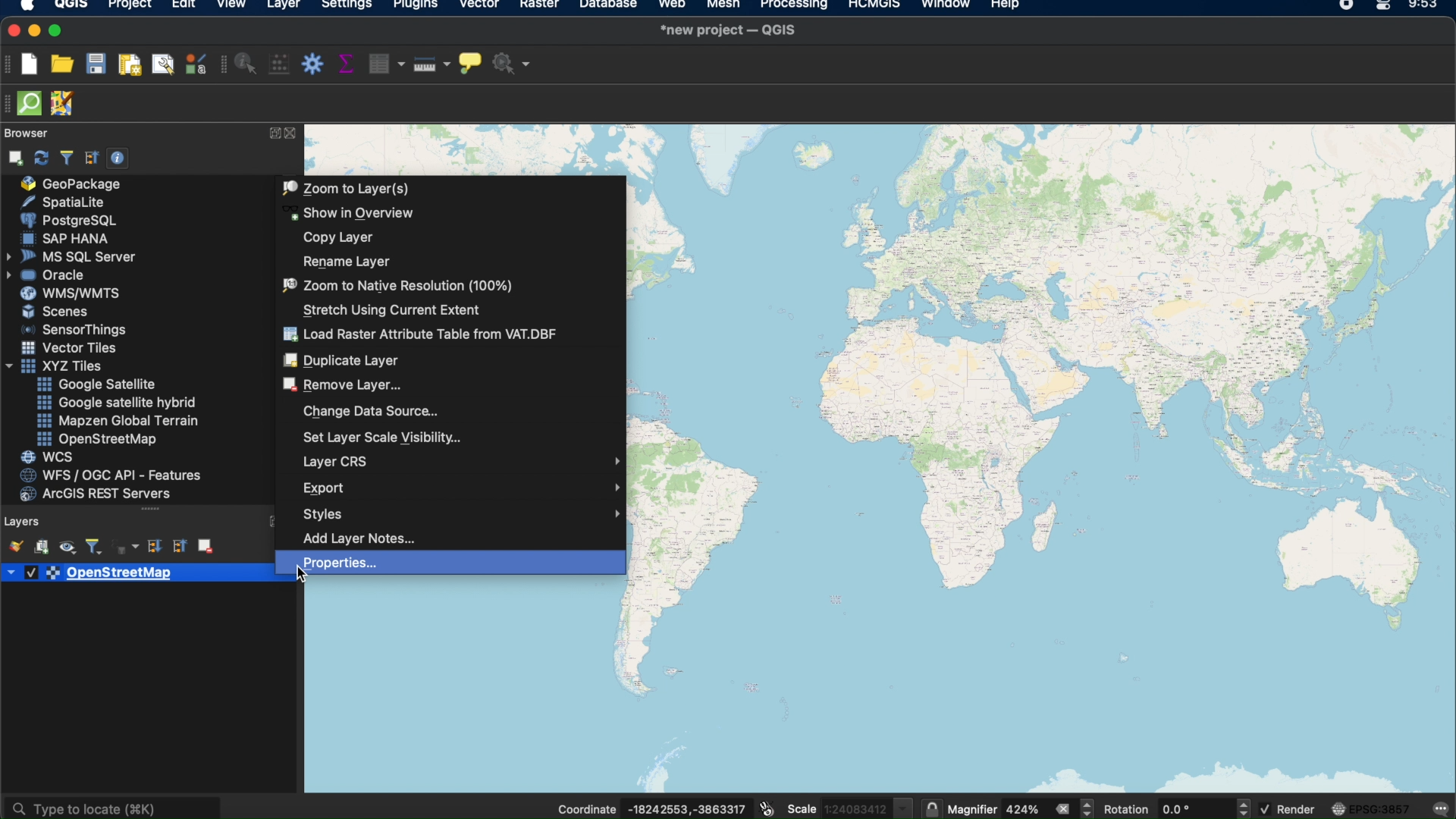  I want to click on add layer notes, so click(367, 539).